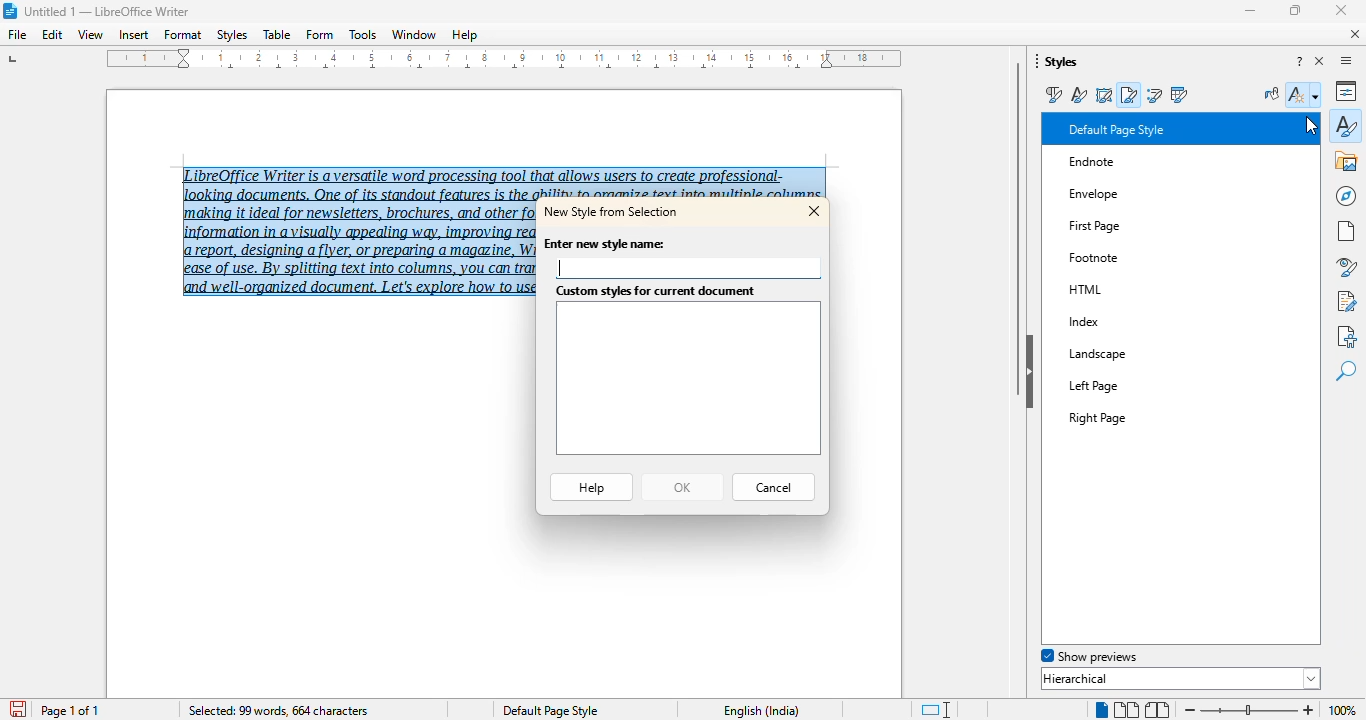 This screenshot has width=1366, height=720. Describe the element at coordinates (1356, 34) in the screenshot. I see `close document` at that location.